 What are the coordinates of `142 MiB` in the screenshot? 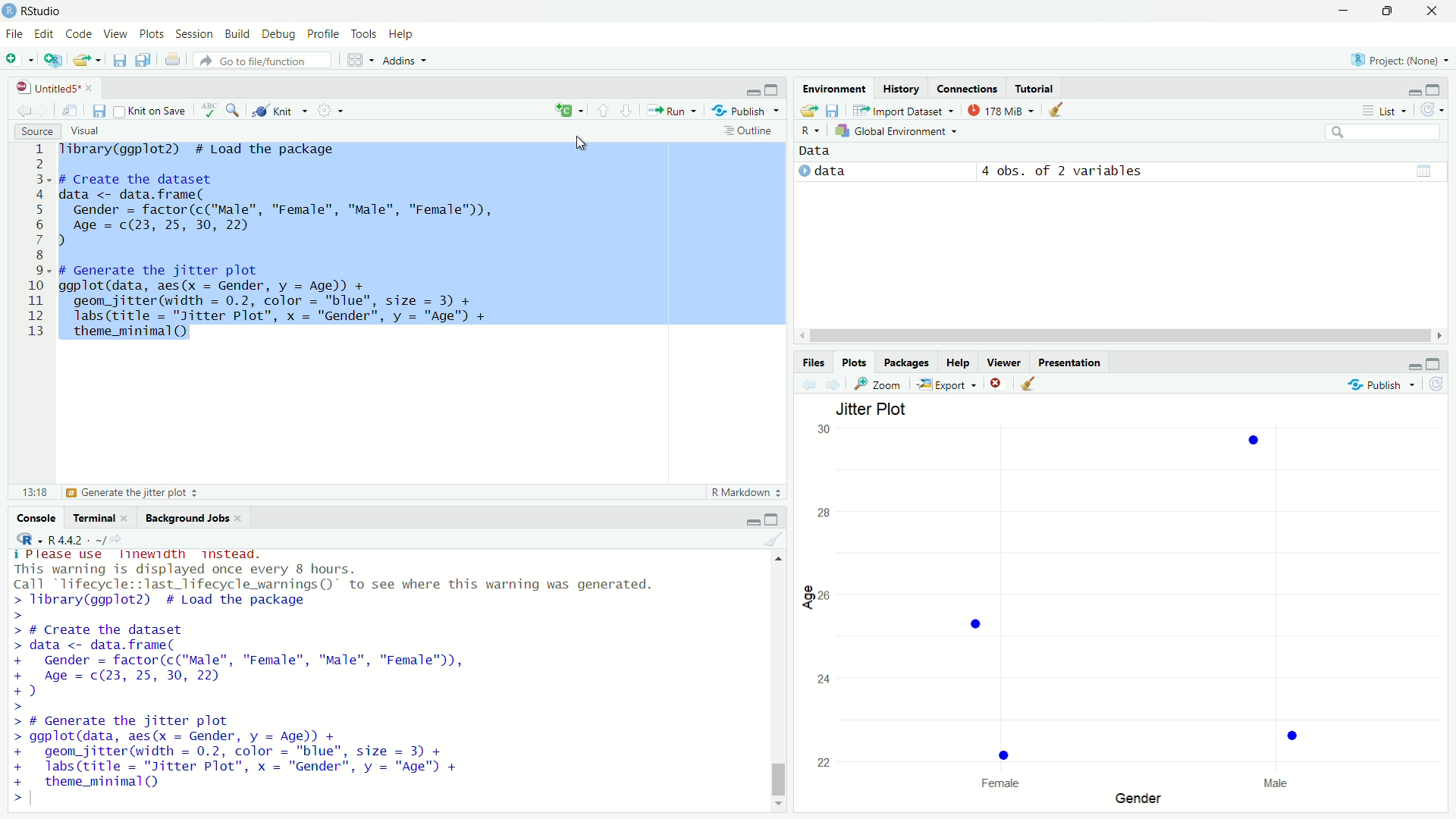 It's located at (1004, 111).